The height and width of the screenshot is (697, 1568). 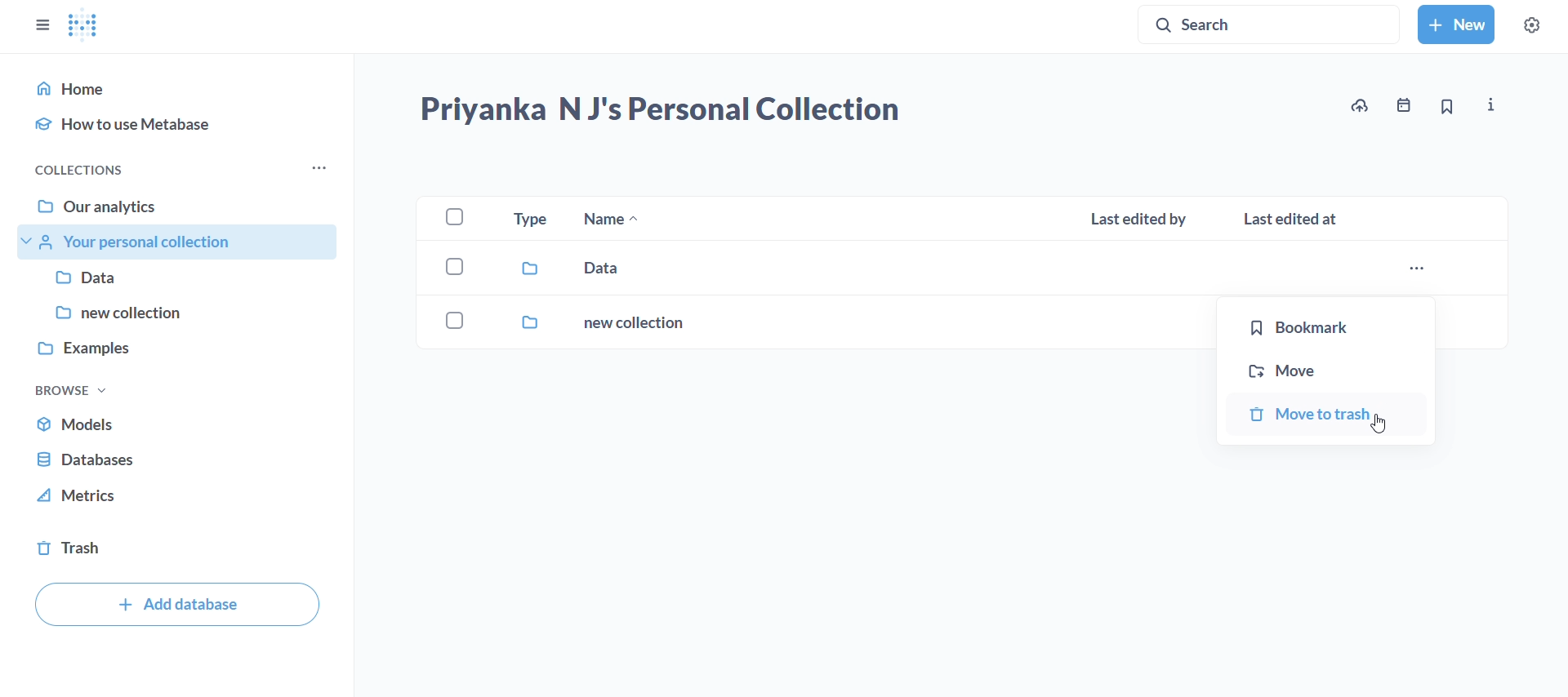 I want to click on data, so click(x=182, y=279).